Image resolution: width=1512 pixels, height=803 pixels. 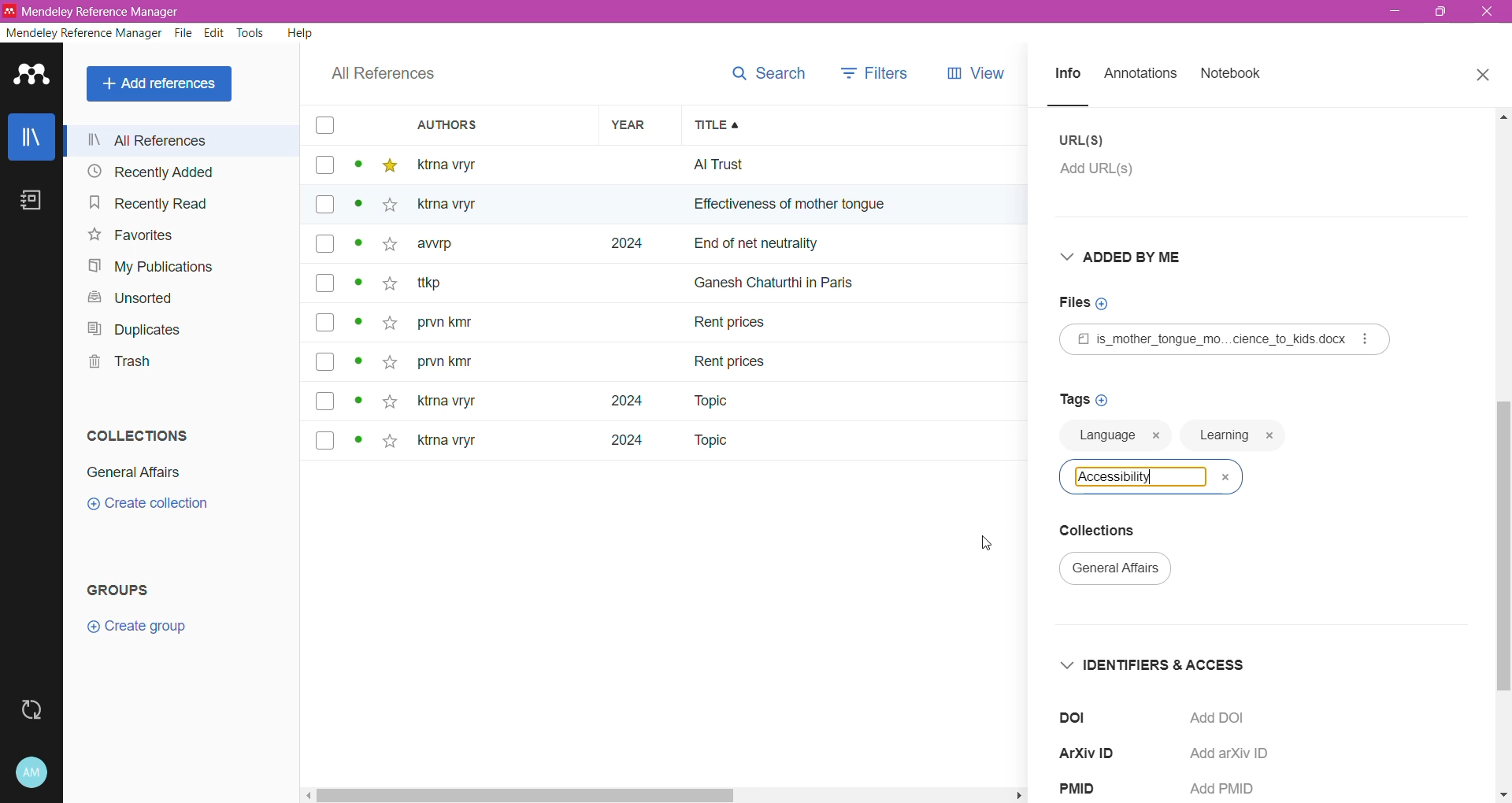 I want to click on Click to add URL(s), so click(x=1107, y=173).